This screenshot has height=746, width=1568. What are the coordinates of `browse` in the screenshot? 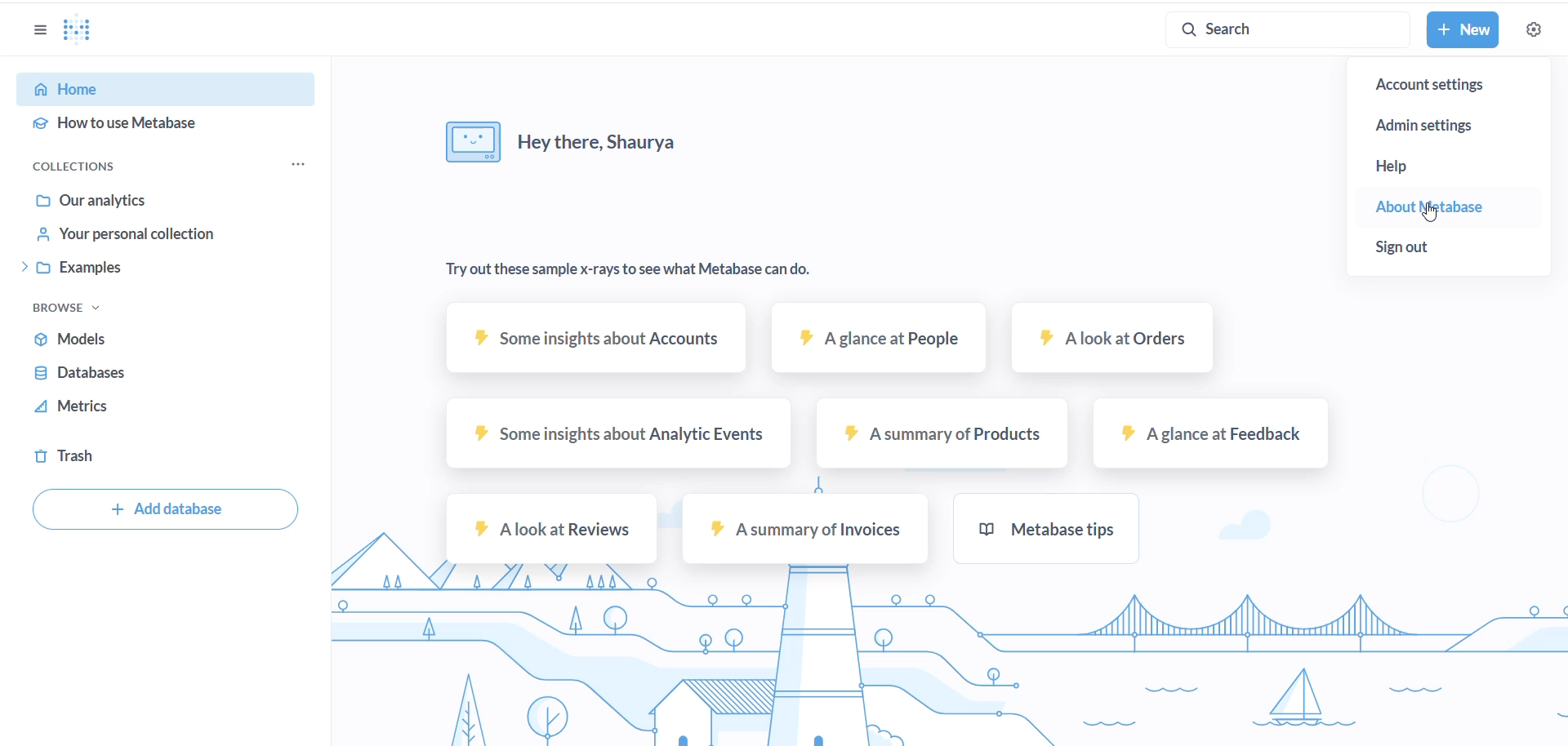 It's located at (78, 308).